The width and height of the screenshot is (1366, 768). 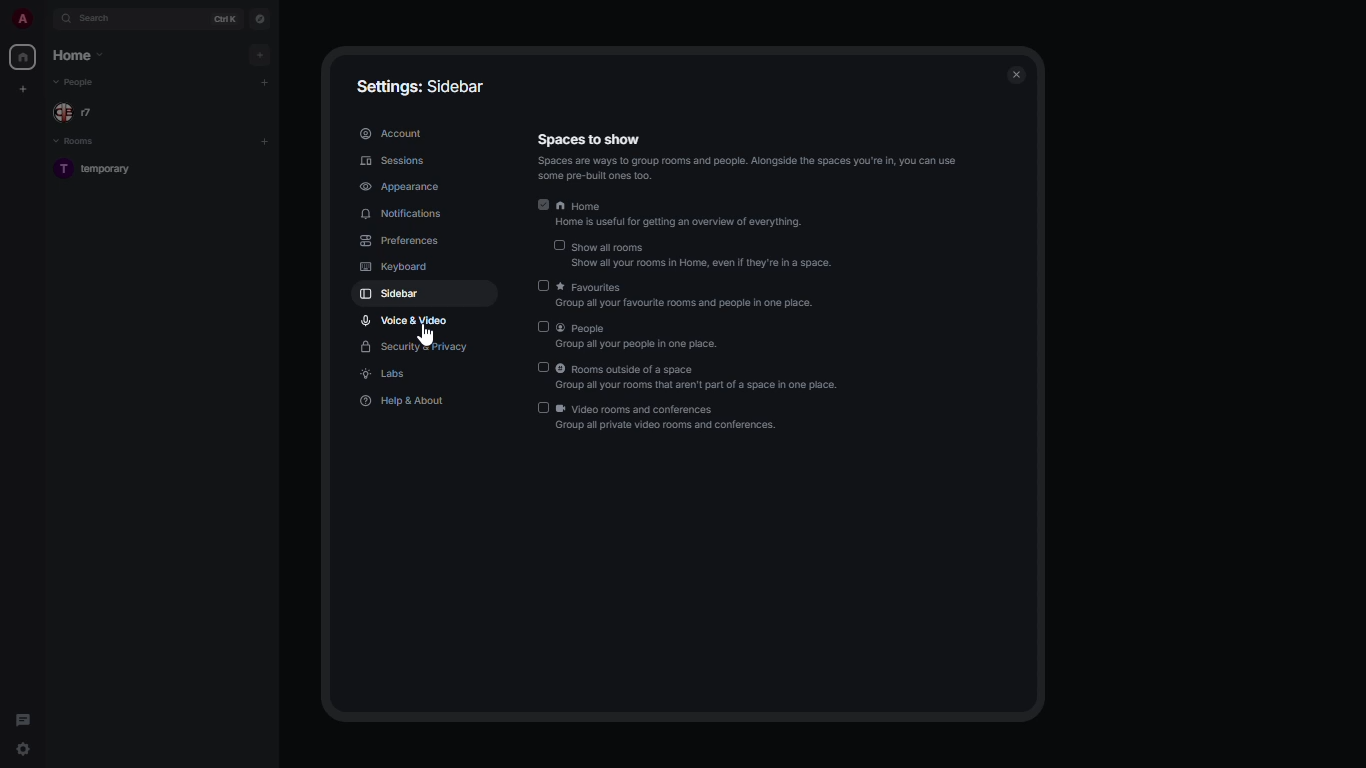 I want to click on appearance, so click(x=400, y=188).